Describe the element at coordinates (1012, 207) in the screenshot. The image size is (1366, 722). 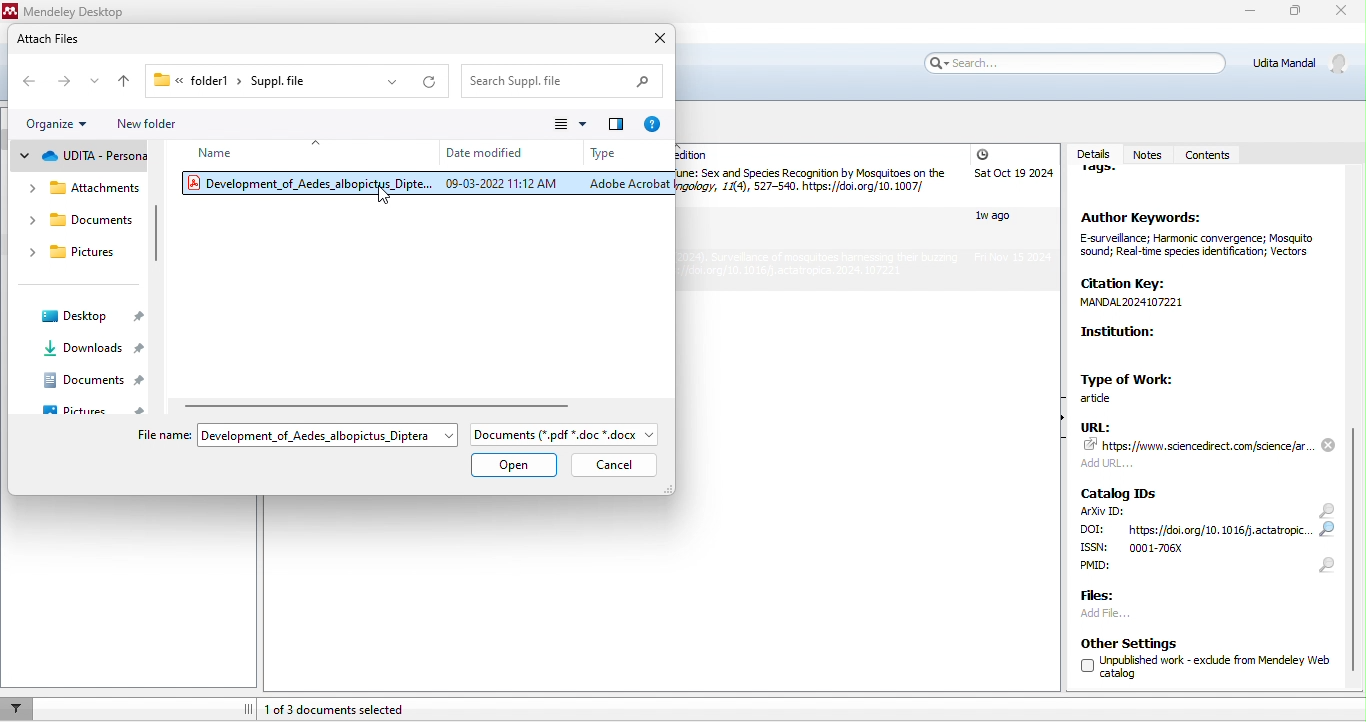
I see `added date` at that location.